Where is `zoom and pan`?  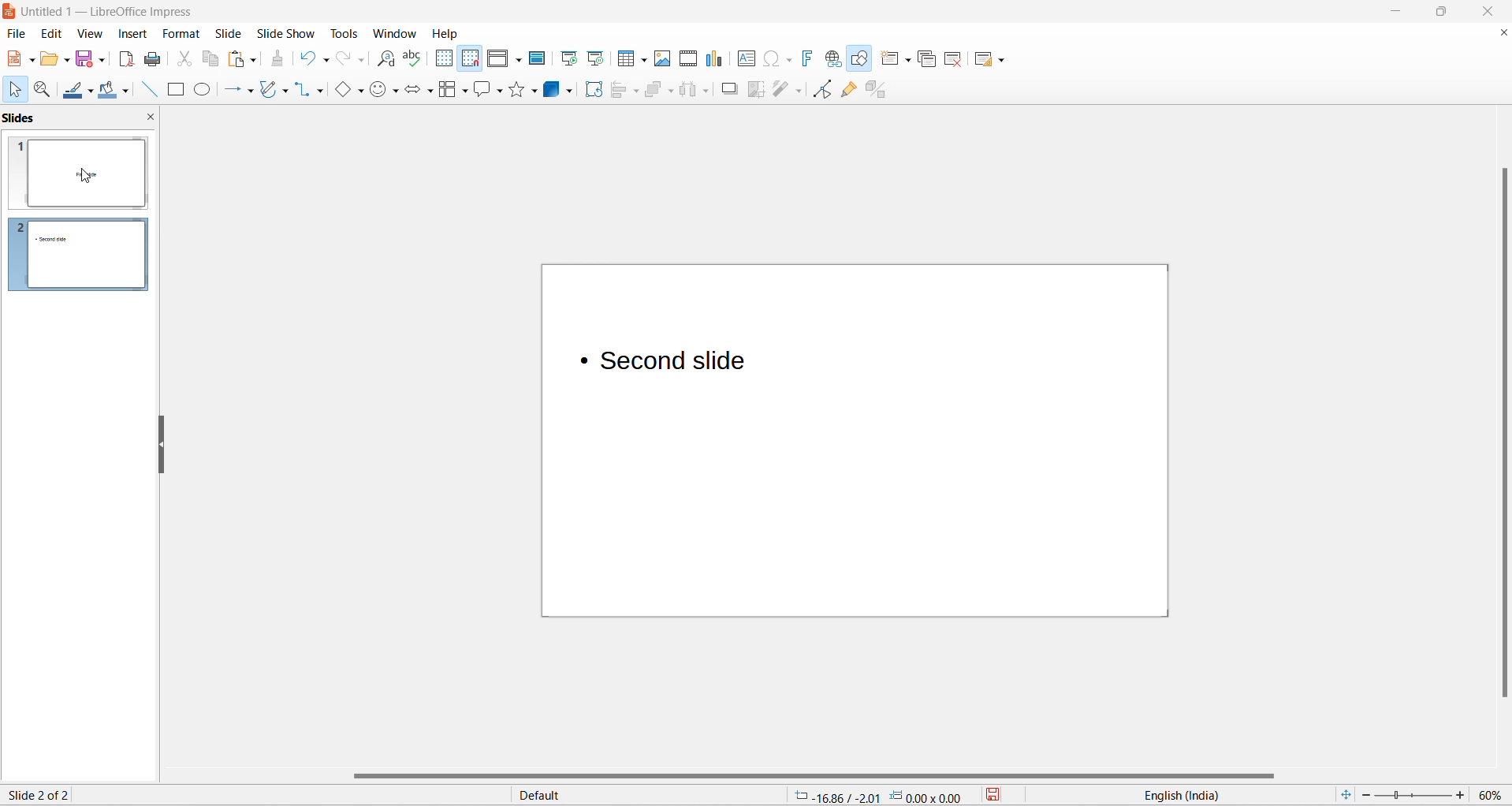 zoom and pan is located at coordinates (43, 89).